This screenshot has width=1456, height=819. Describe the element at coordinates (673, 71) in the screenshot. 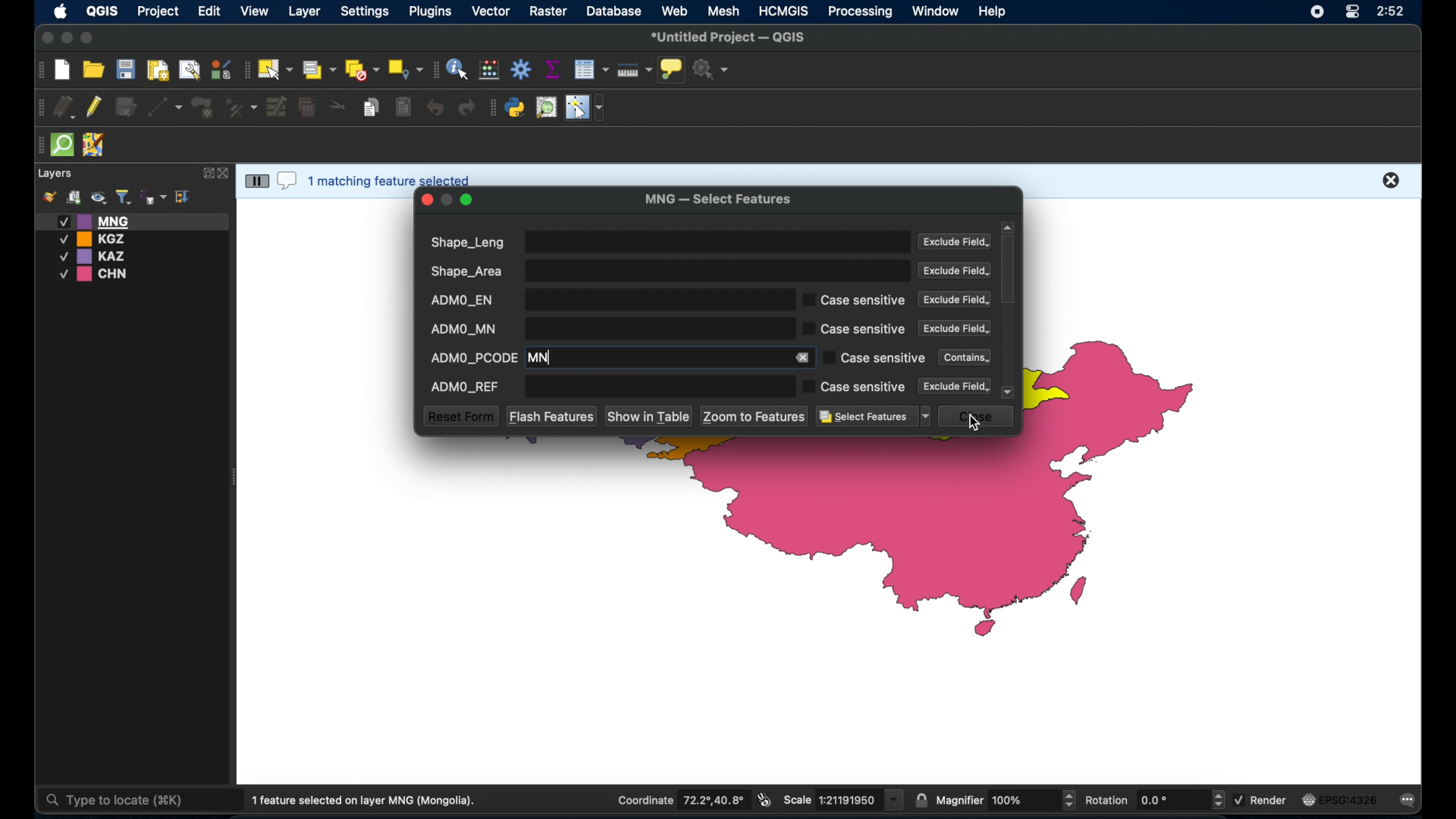

I see `show map tips` at that location.